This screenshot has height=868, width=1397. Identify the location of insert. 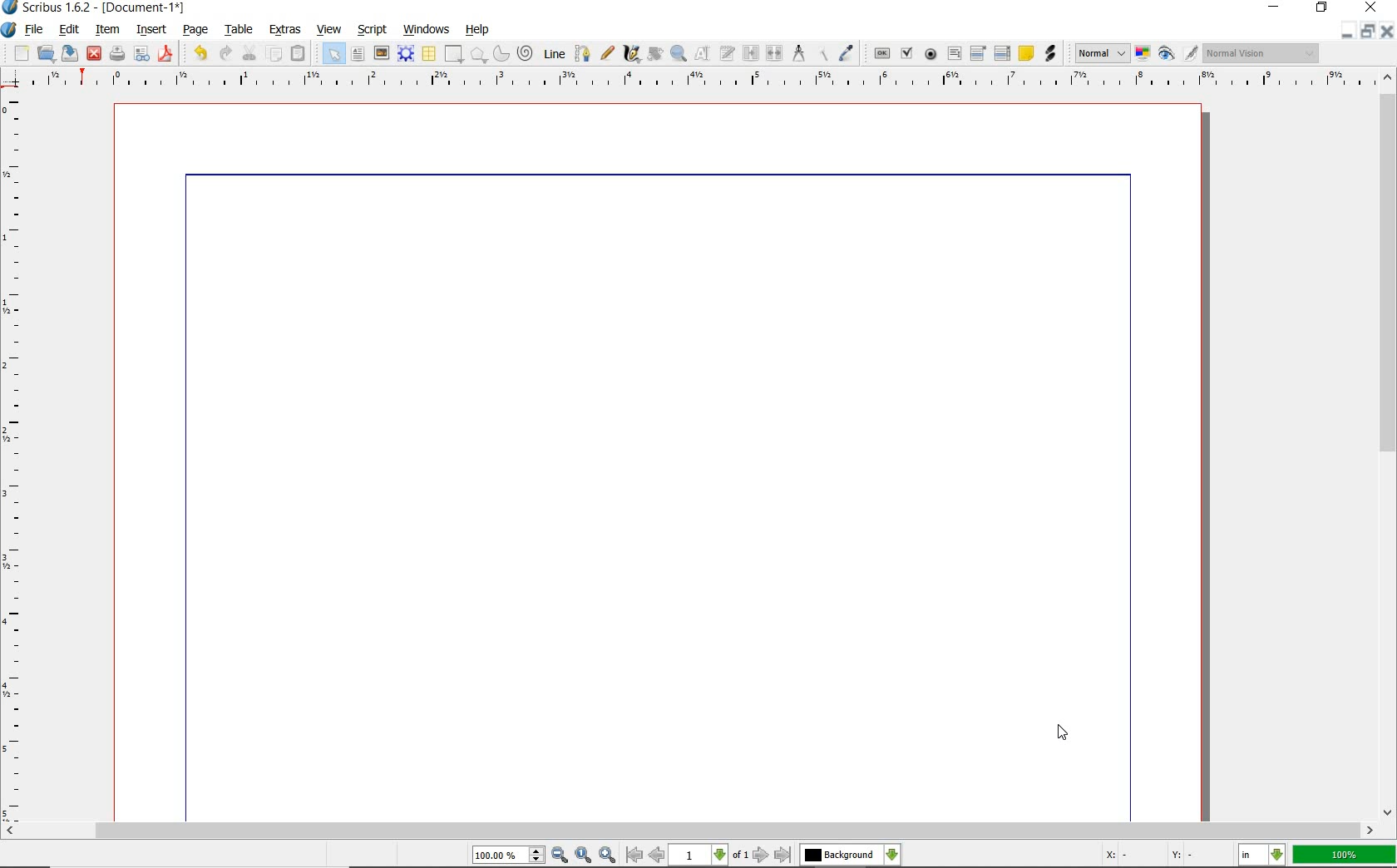
(151, 29).